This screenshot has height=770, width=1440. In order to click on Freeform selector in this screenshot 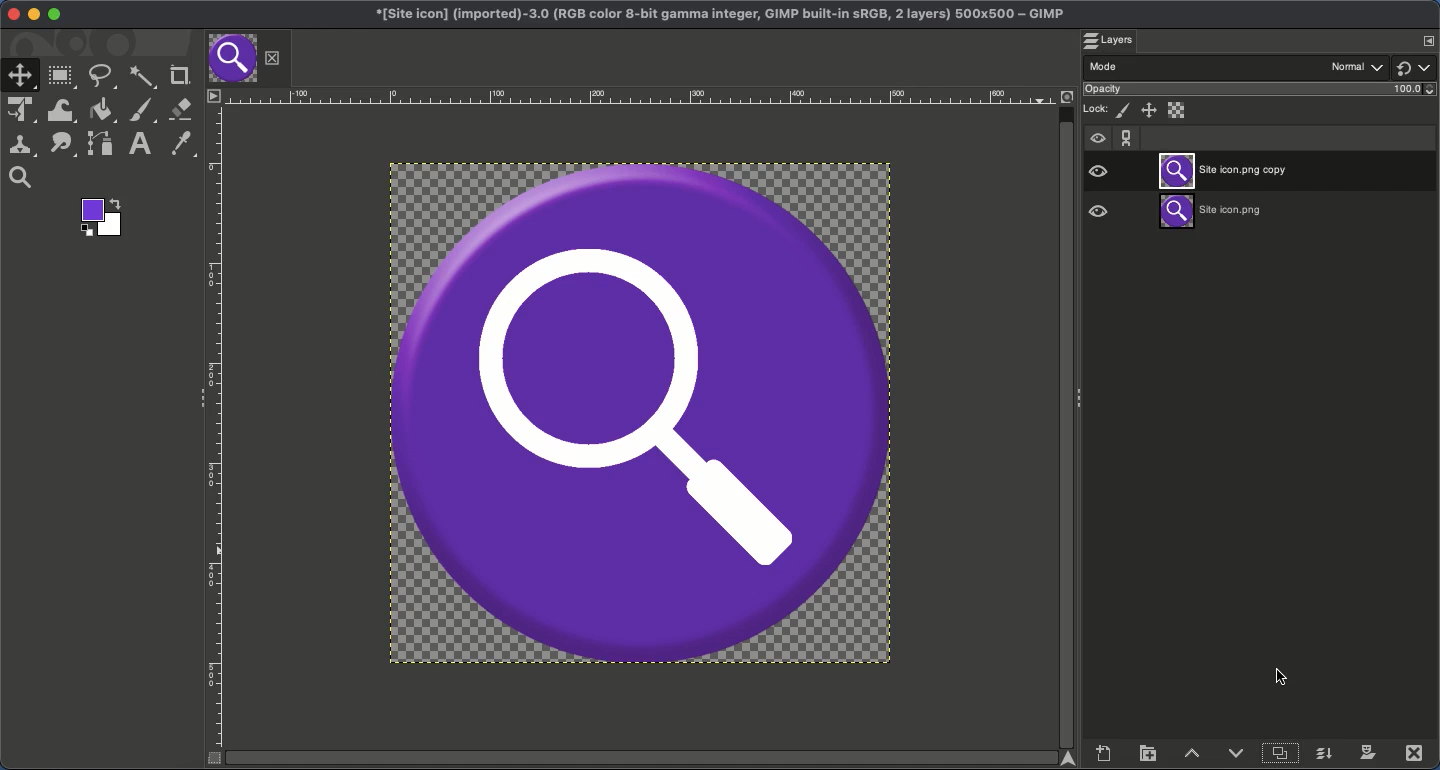, I will do `click(103, 78)`.